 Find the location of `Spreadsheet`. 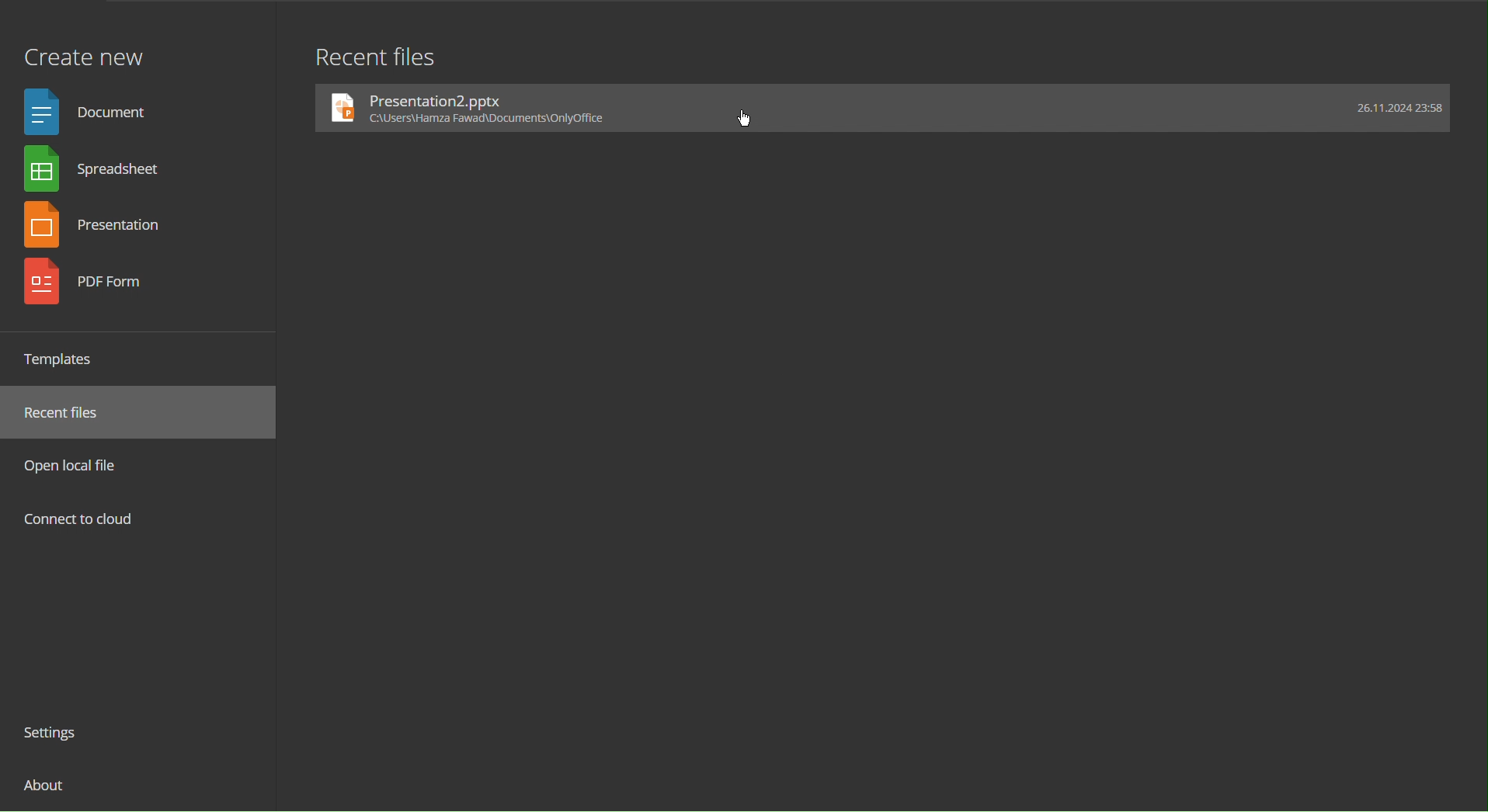

Spreadsheet is located at coordinates (98, 172).